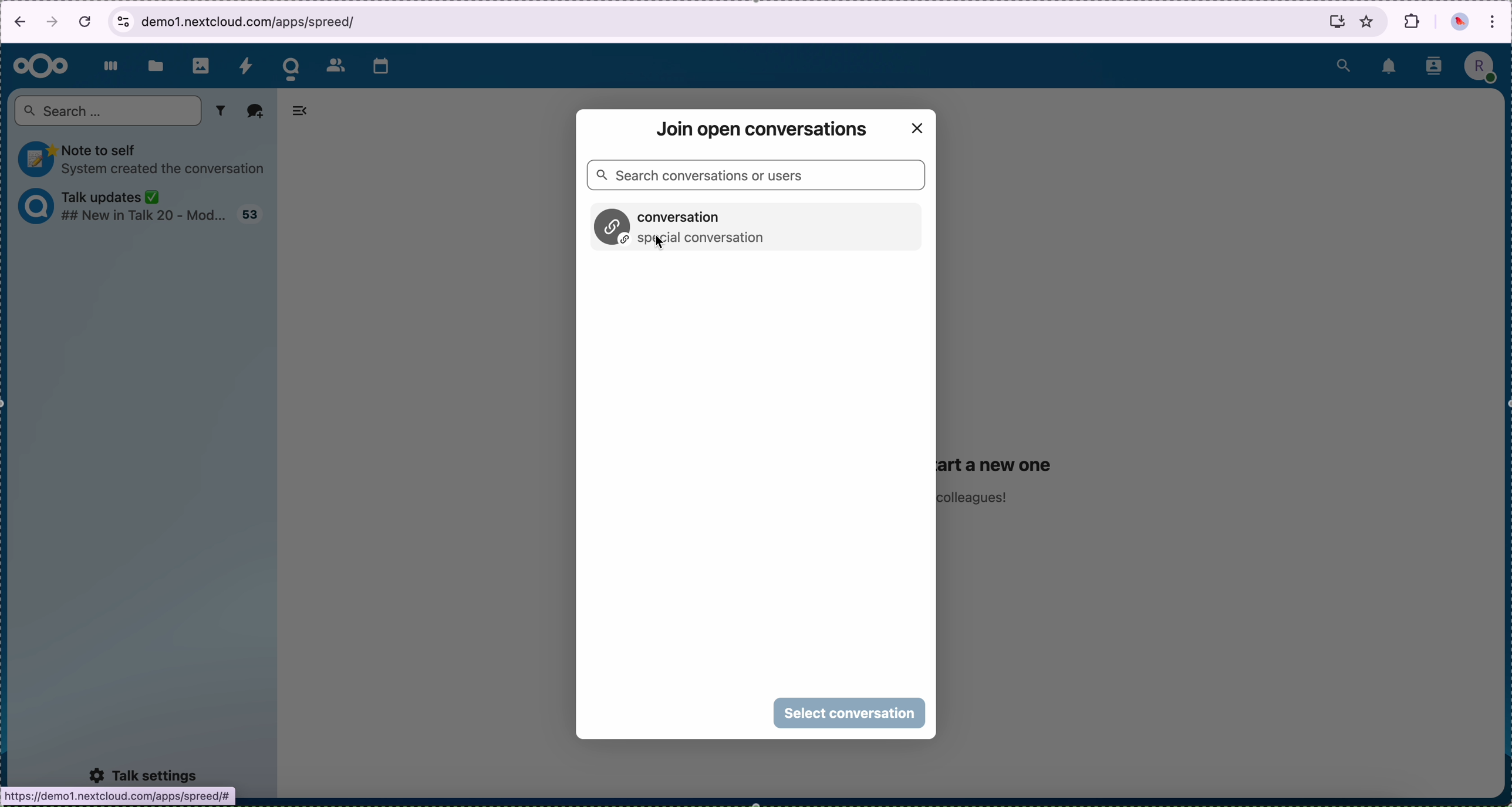 The width and height of the screenshot is (1512, 807). What do you see at coordinates (109, 112) in the screenshot?
I see `search bar` at bounding box center [109, 112].